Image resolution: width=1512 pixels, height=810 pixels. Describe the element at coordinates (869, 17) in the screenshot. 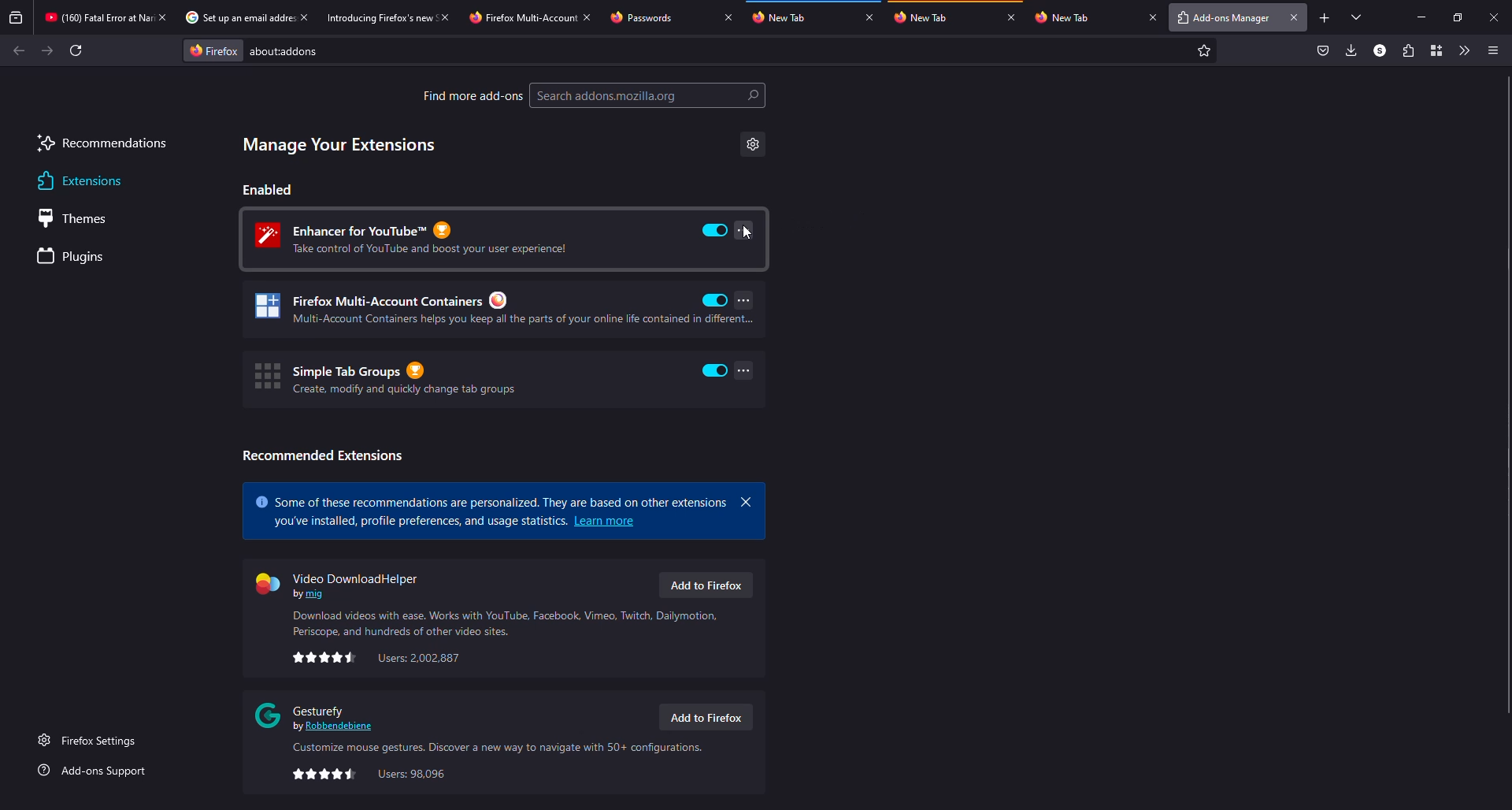

I see `close` at that location.